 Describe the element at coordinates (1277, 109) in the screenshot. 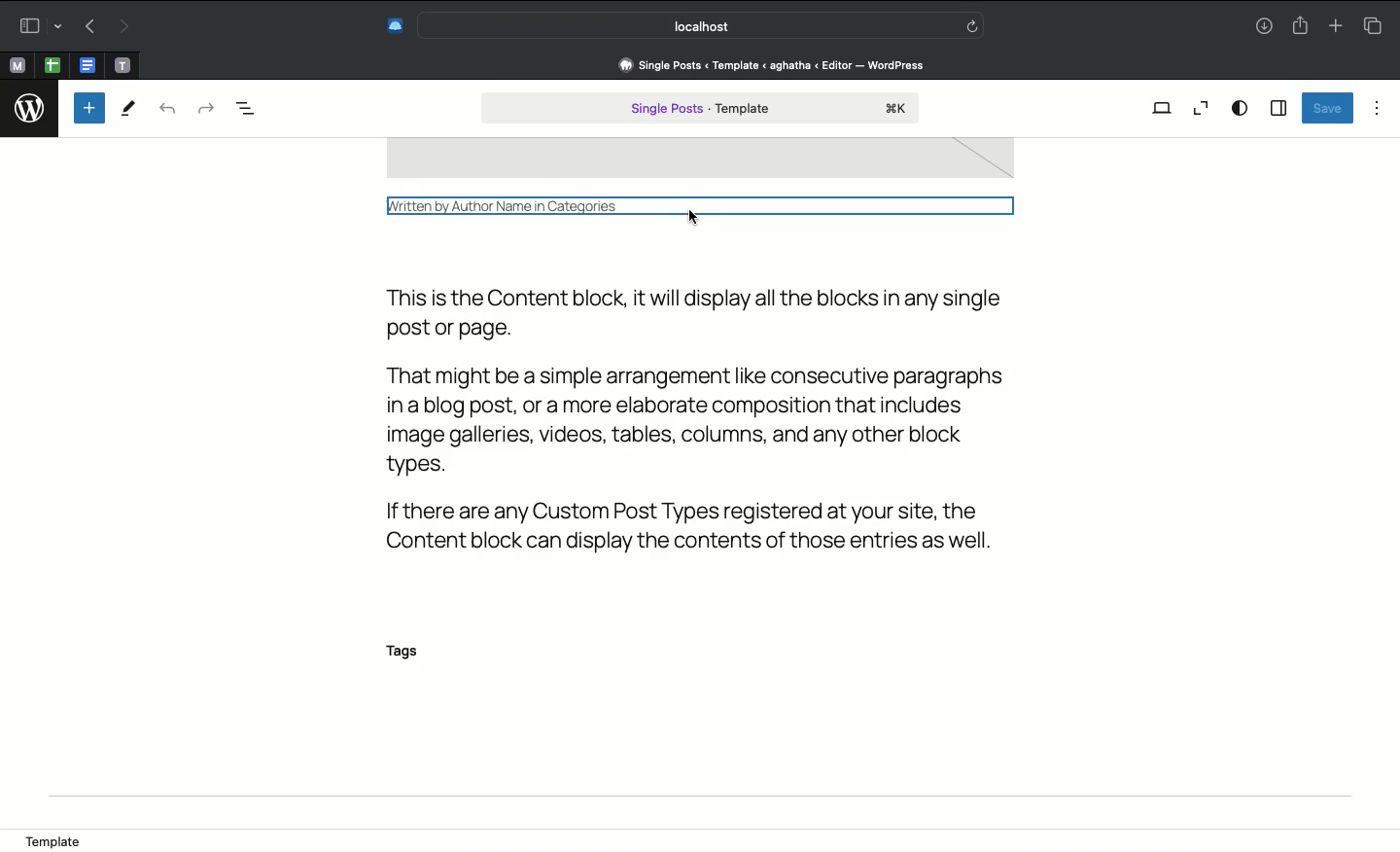

I see `Sidebar` at that location.